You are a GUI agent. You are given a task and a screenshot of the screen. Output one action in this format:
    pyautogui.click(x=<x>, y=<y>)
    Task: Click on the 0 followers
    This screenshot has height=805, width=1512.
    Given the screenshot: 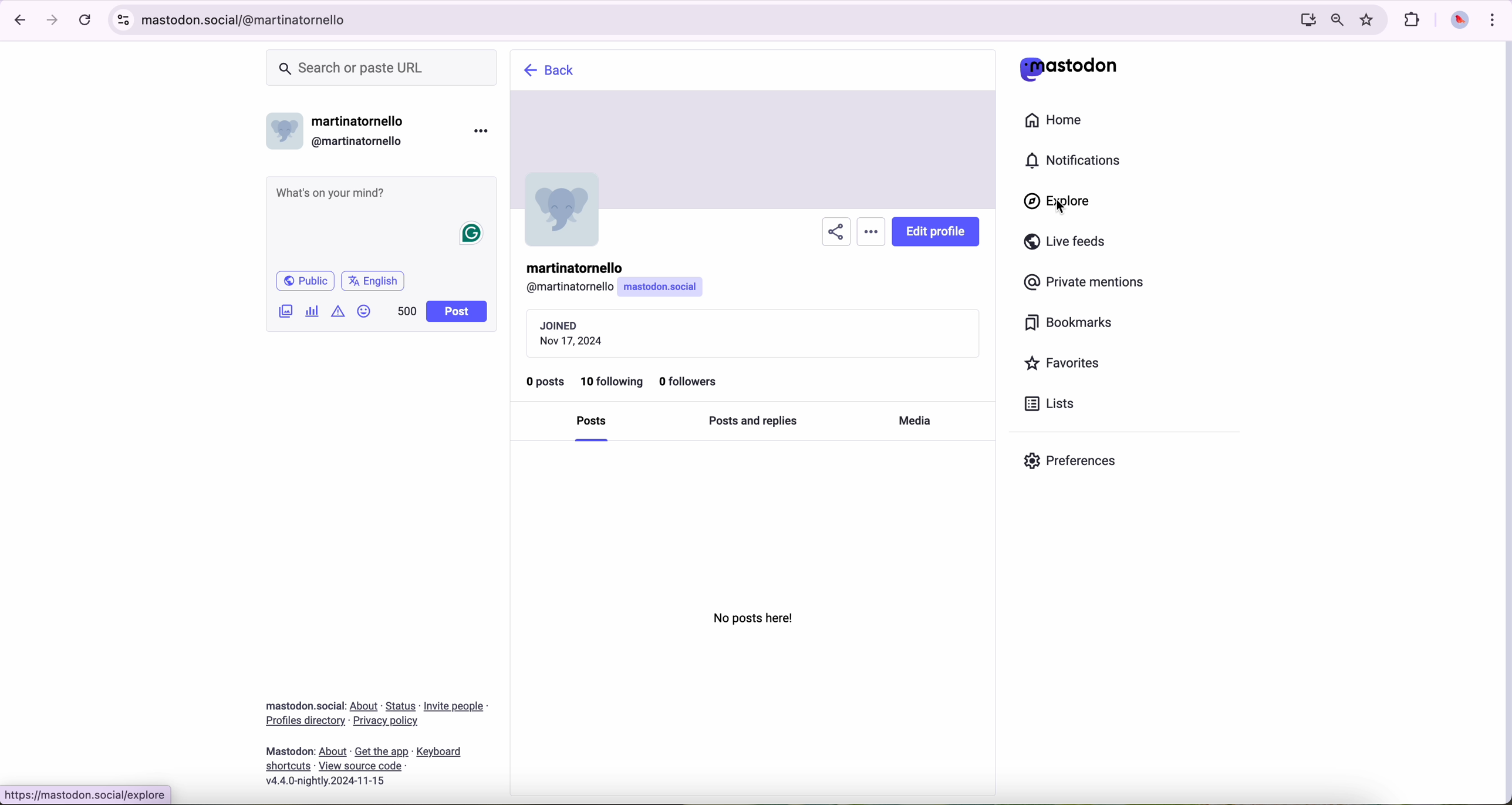 What is the action you would take?
    pyautogui.click(x=694, y=380)
    